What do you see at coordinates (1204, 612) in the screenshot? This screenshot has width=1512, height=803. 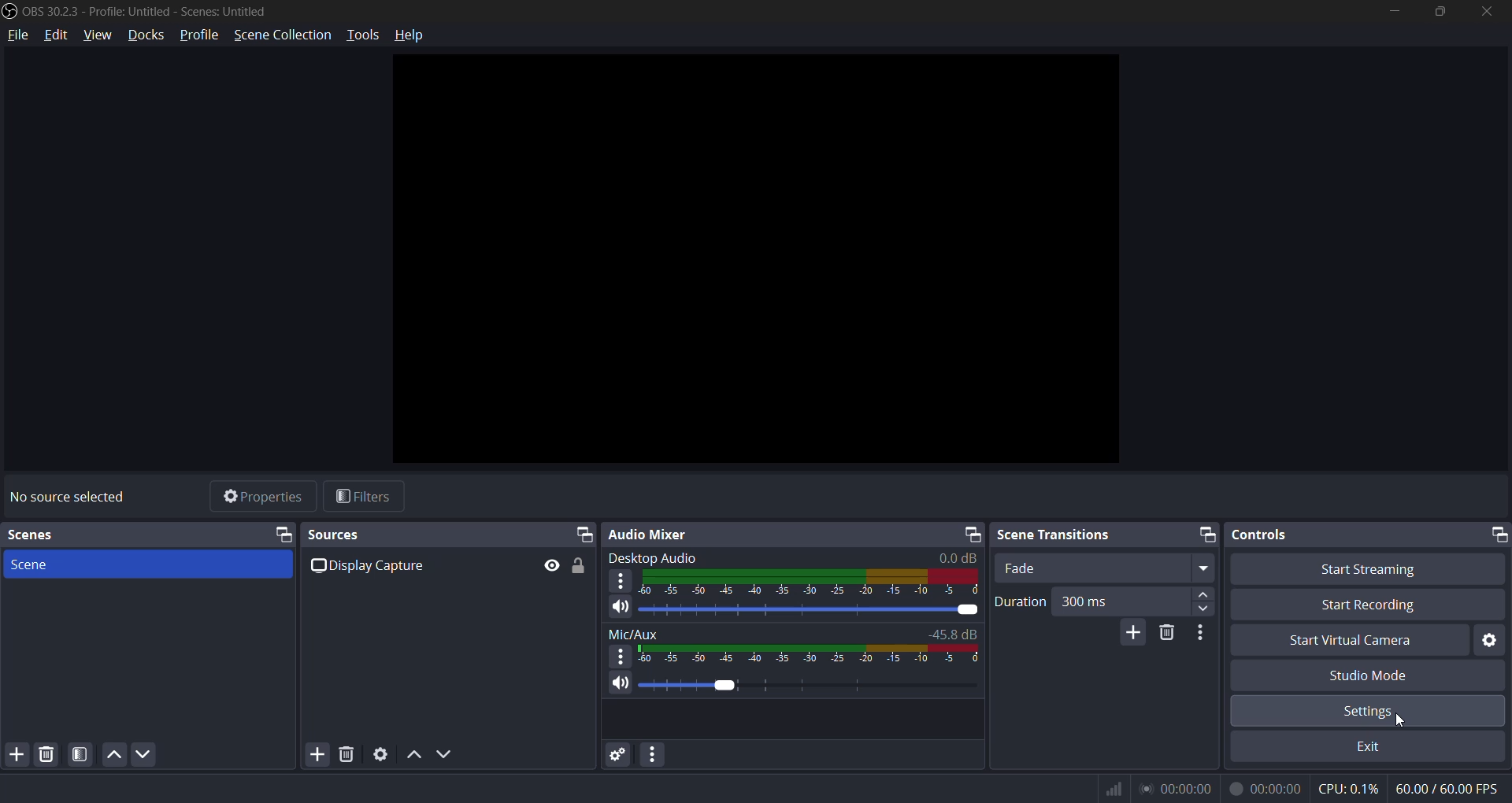 I see `decrease value` at bounding box center [1204, 612].